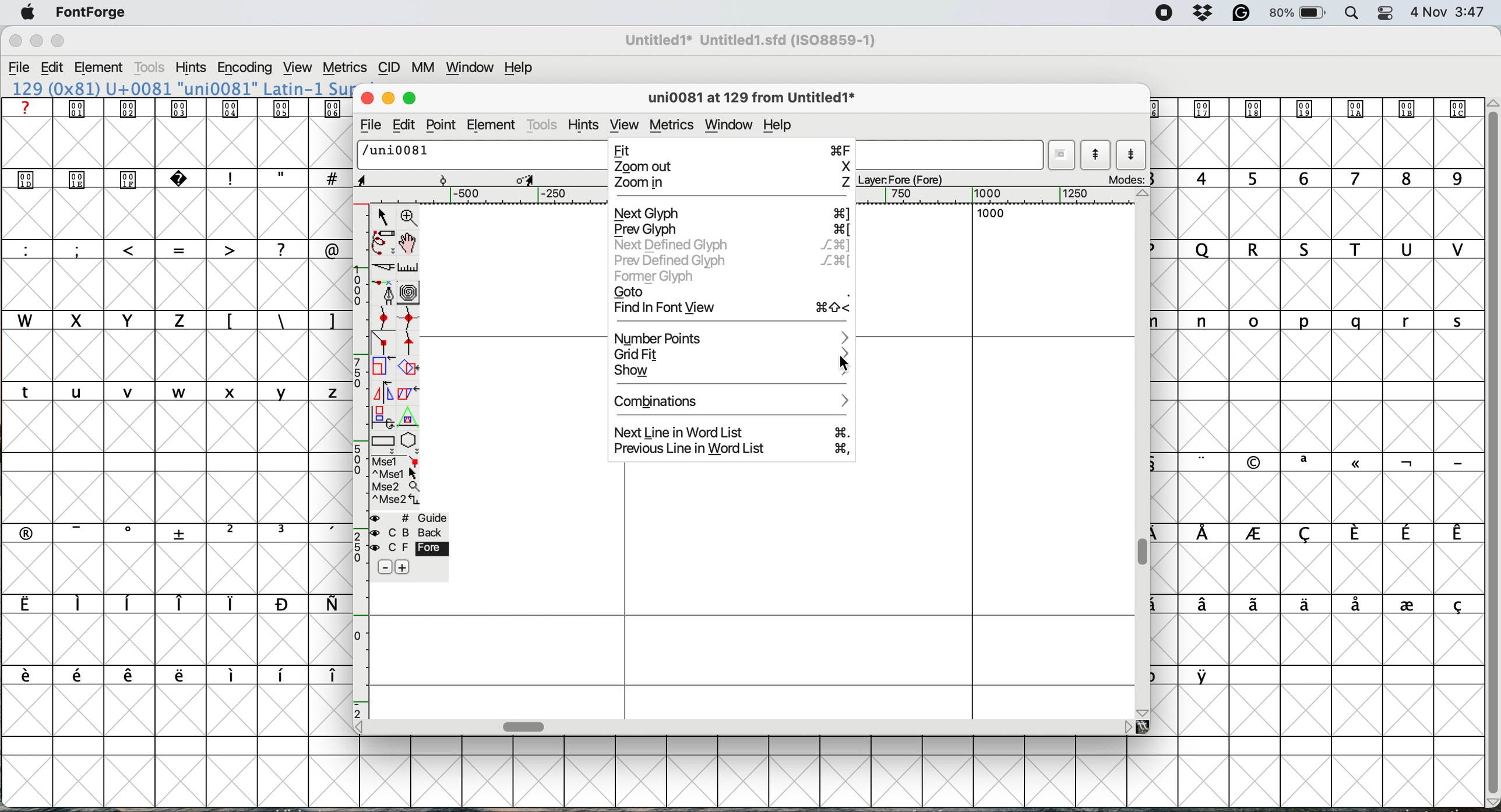 The height and width of the screenshot is (812, 1501). Describe the element at coordinates (470, 69) in the screenshot. I see `Window` at that location.